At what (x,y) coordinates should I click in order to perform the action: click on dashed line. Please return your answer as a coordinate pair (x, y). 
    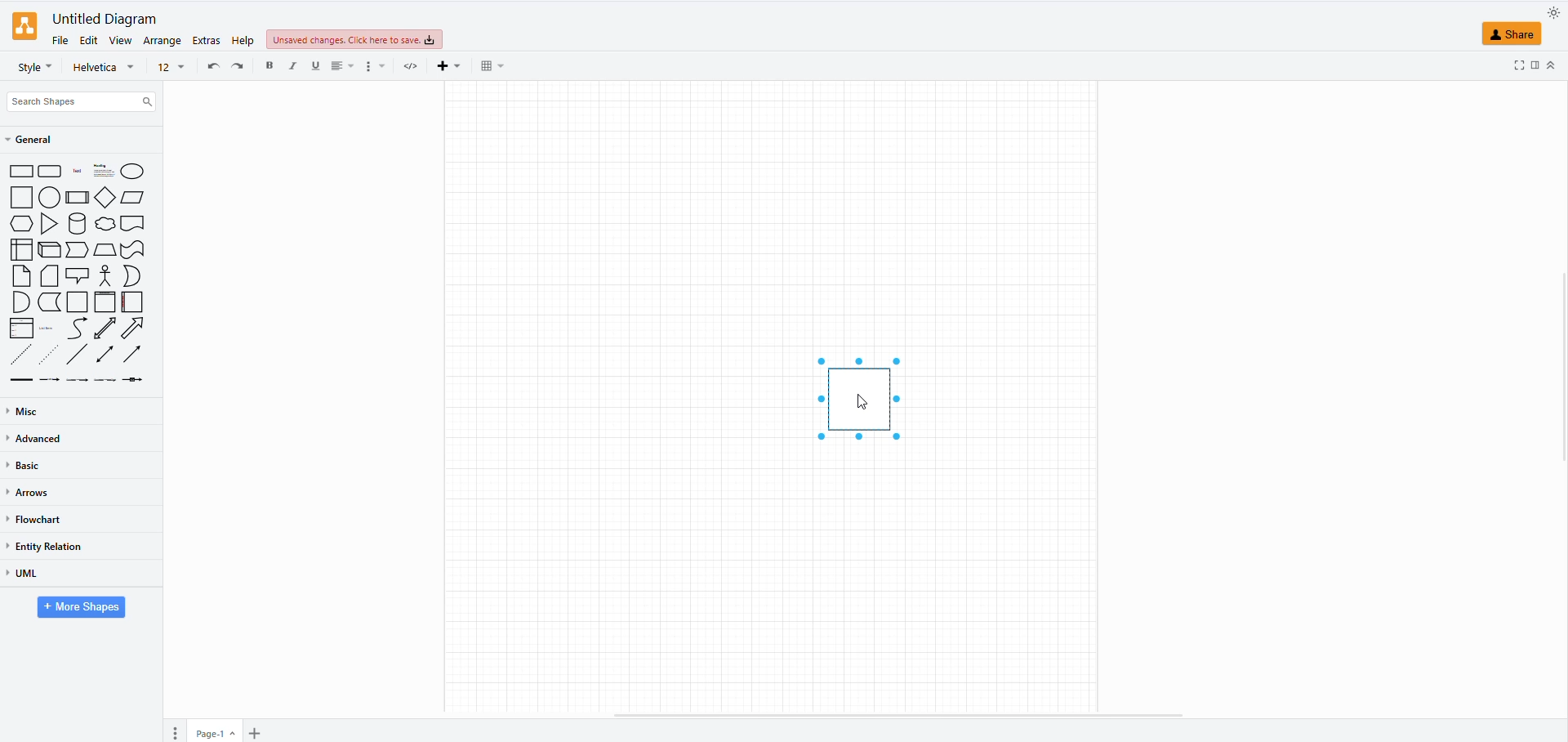
    Looking at the image, I should click on (22, 354).